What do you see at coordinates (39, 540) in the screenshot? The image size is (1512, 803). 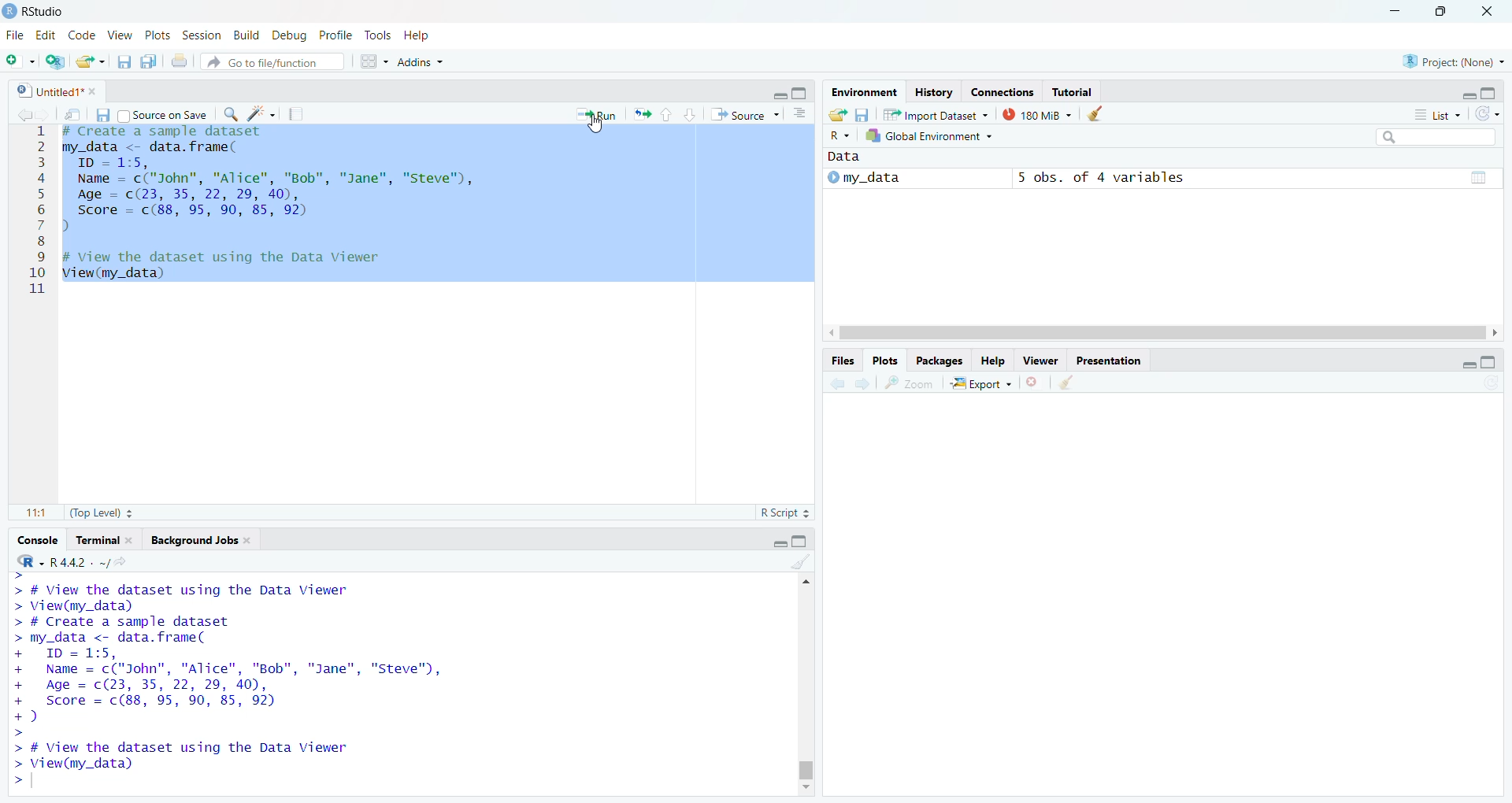 I see `Console` at bounding box center [39, 540].